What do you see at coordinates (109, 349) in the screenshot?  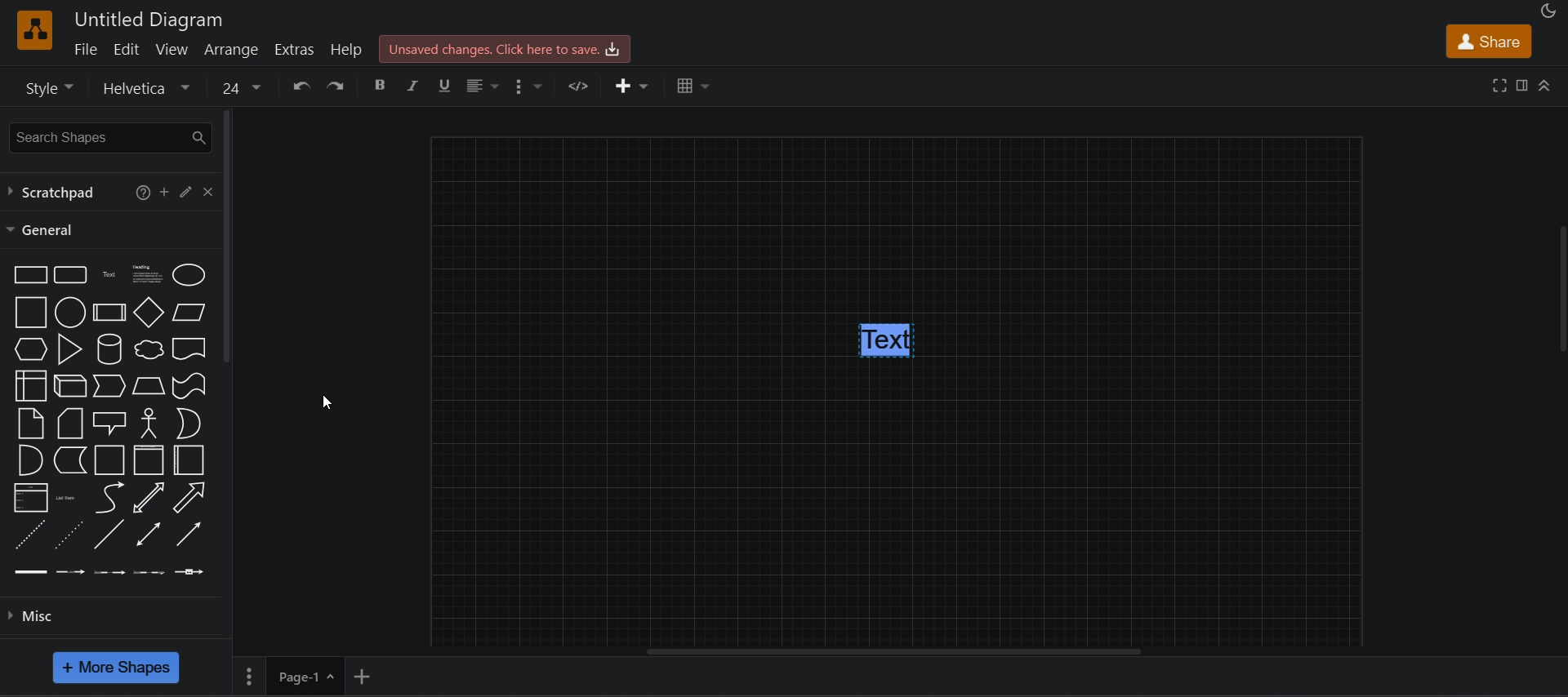 I see `Cylinder` at bounding box center [109, 349].